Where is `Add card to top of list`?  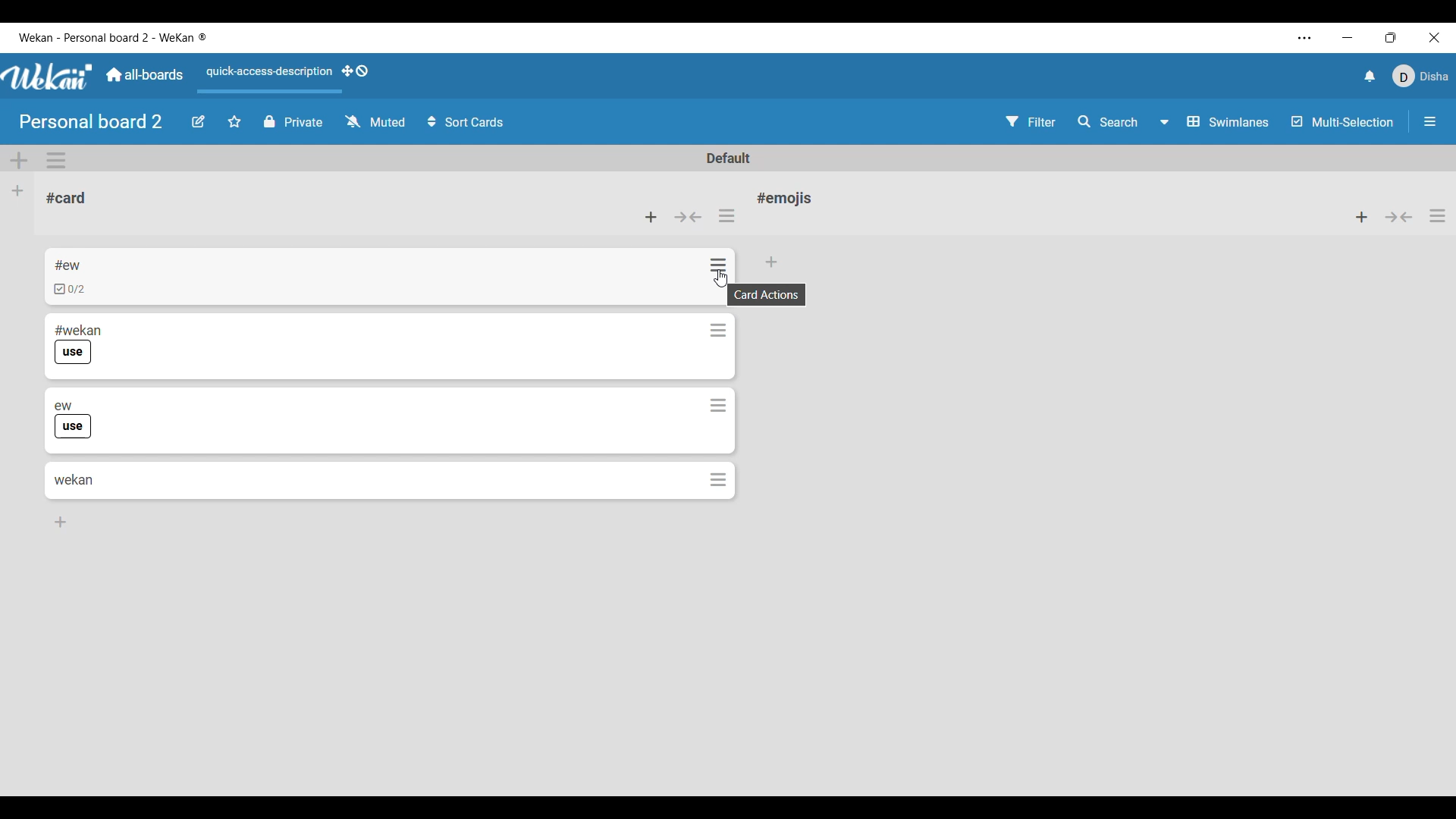
Add card to top of list is located at coordinates (651, 218).